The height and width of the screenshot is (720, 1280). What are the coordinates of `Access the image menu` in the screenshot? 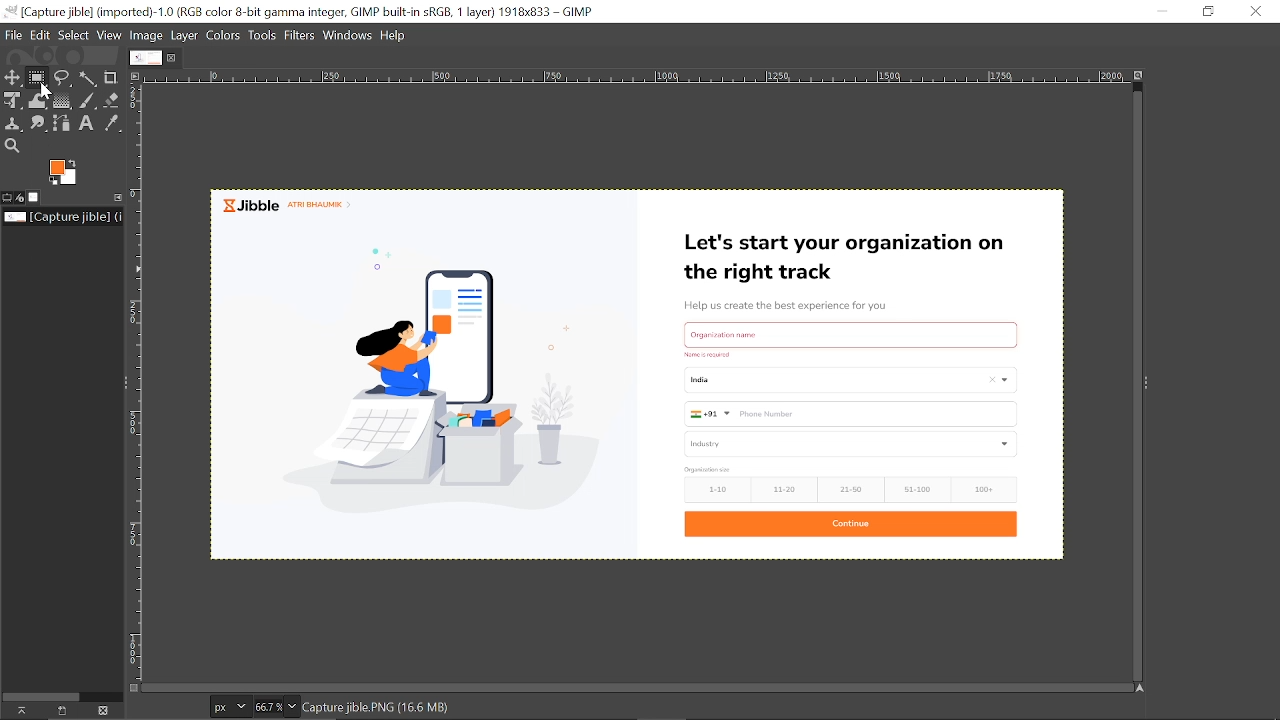 It's located at (139, 77).